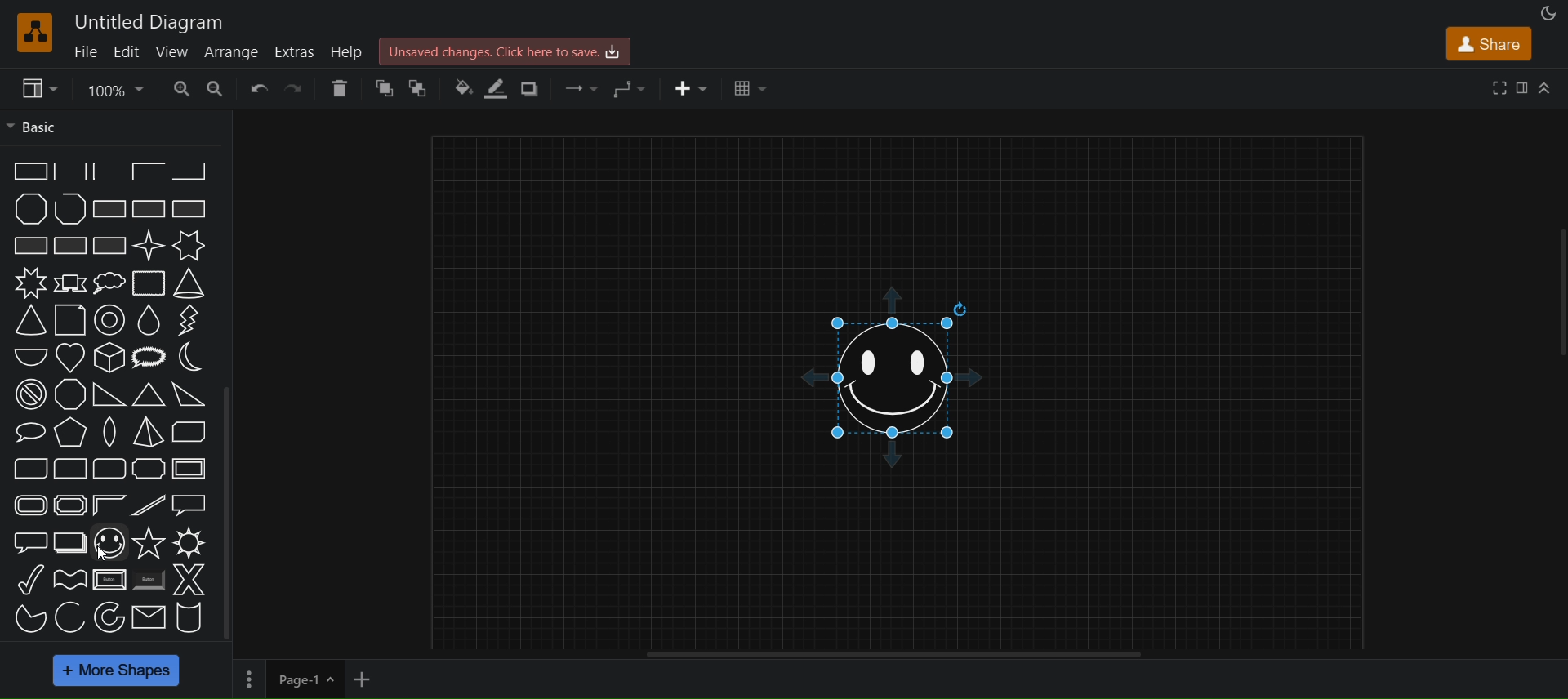 The width and height of the screenshot is (1568, 699). I want to click on zoom, so click(114, 88).